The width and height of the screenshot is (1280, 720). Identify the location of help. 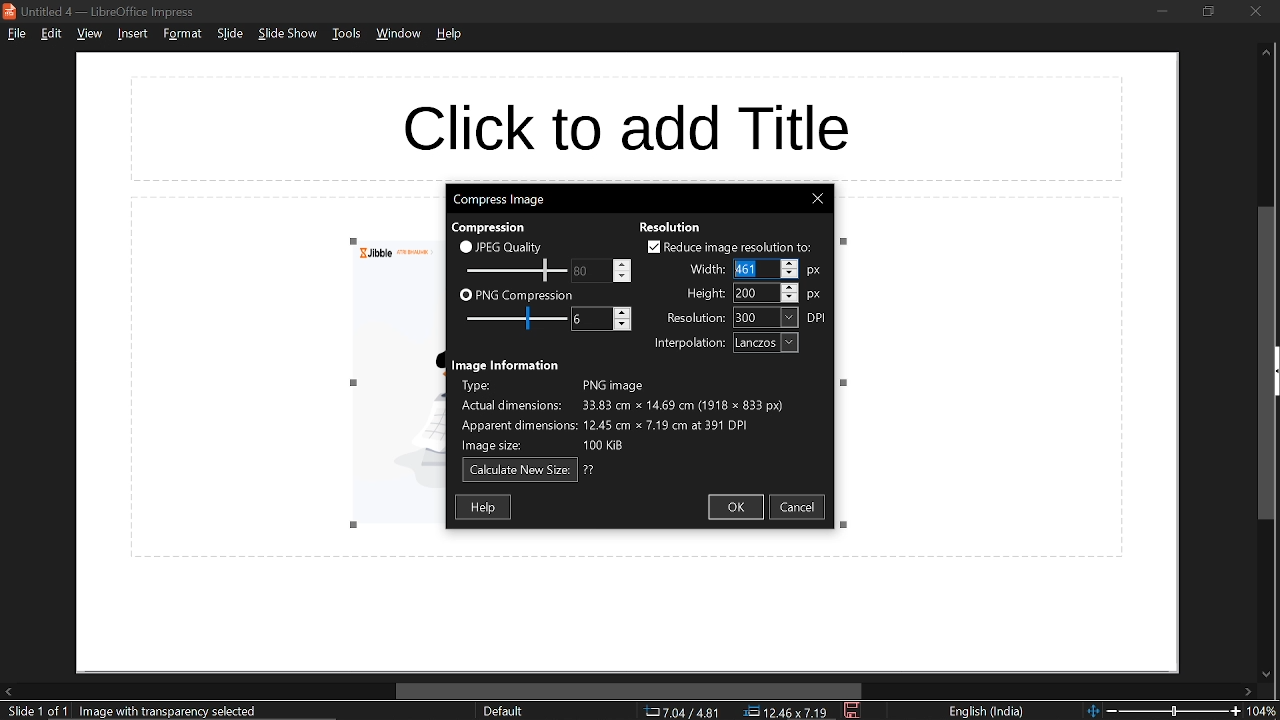
(450, 38).